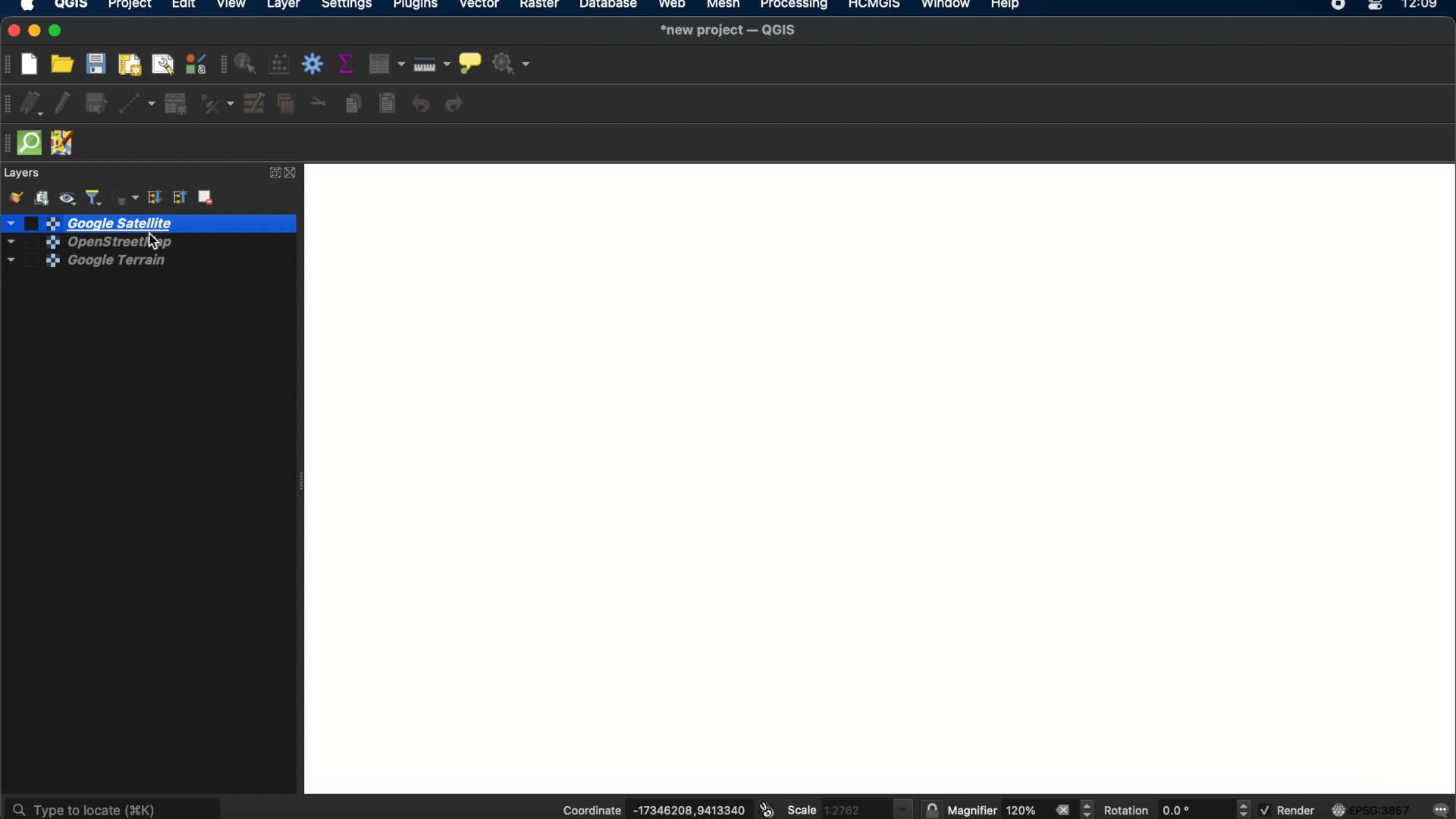 The width and height of the screenshot is (1456, 819). I want to click on JOSM remote, so click(64, 144).